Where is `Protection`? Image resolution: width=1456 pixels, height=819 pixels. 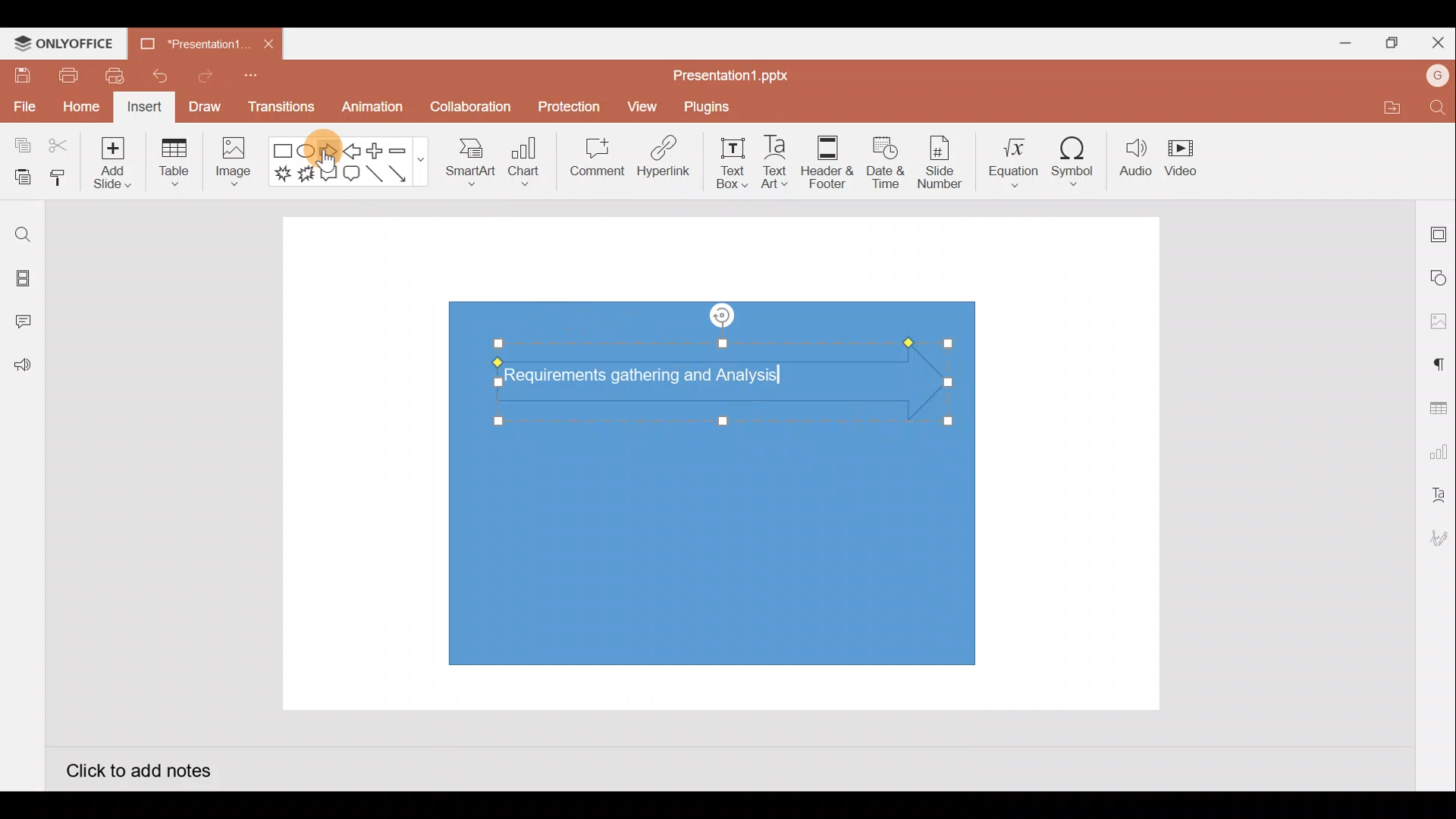 Protection is located at coordinates (565, 107).